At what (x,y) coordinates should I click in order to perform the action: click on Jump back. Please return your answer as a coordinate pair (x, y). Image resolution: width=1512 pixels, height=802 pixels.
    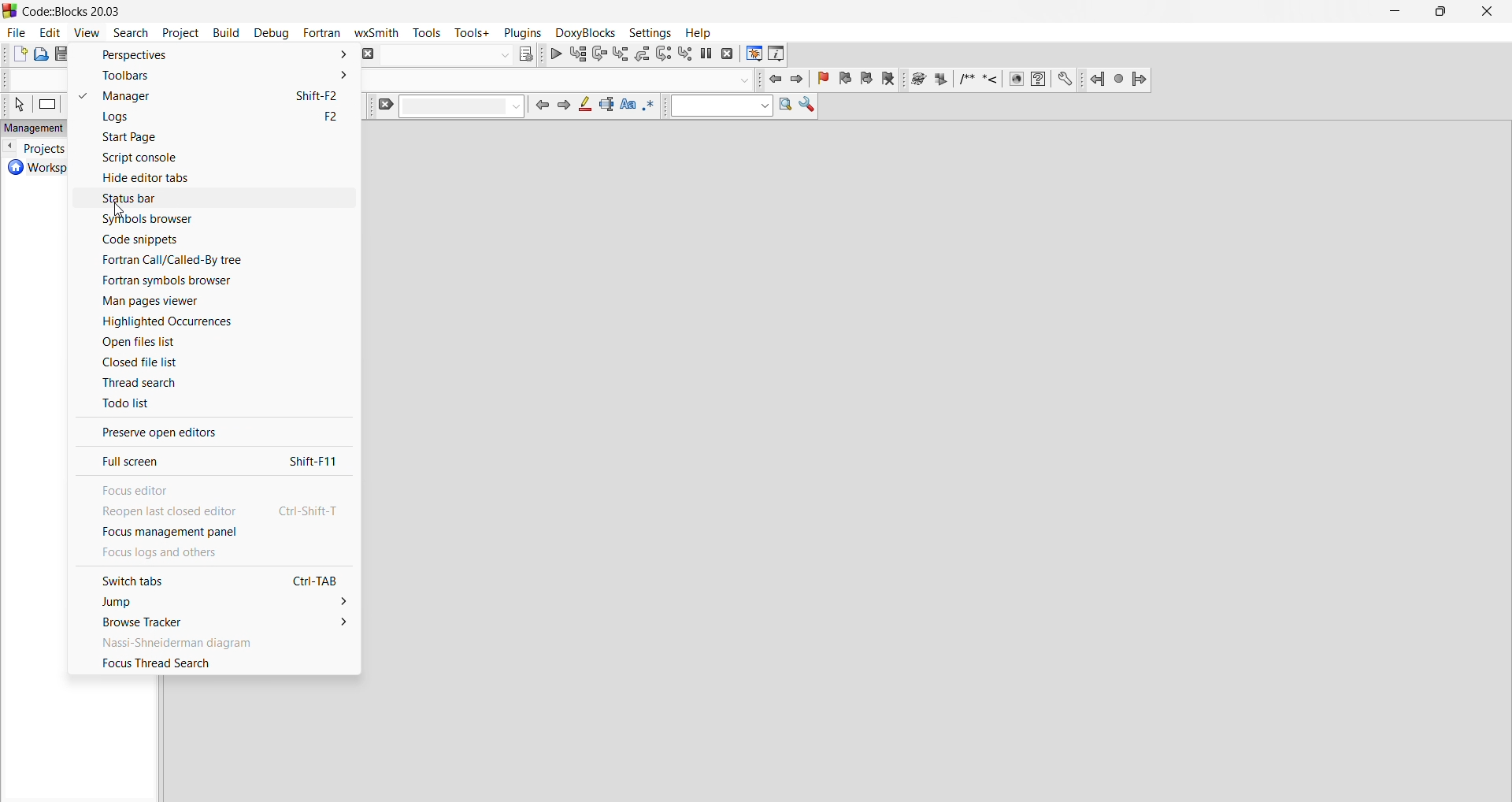
    Looking at the image, I should click on (1095, 81).